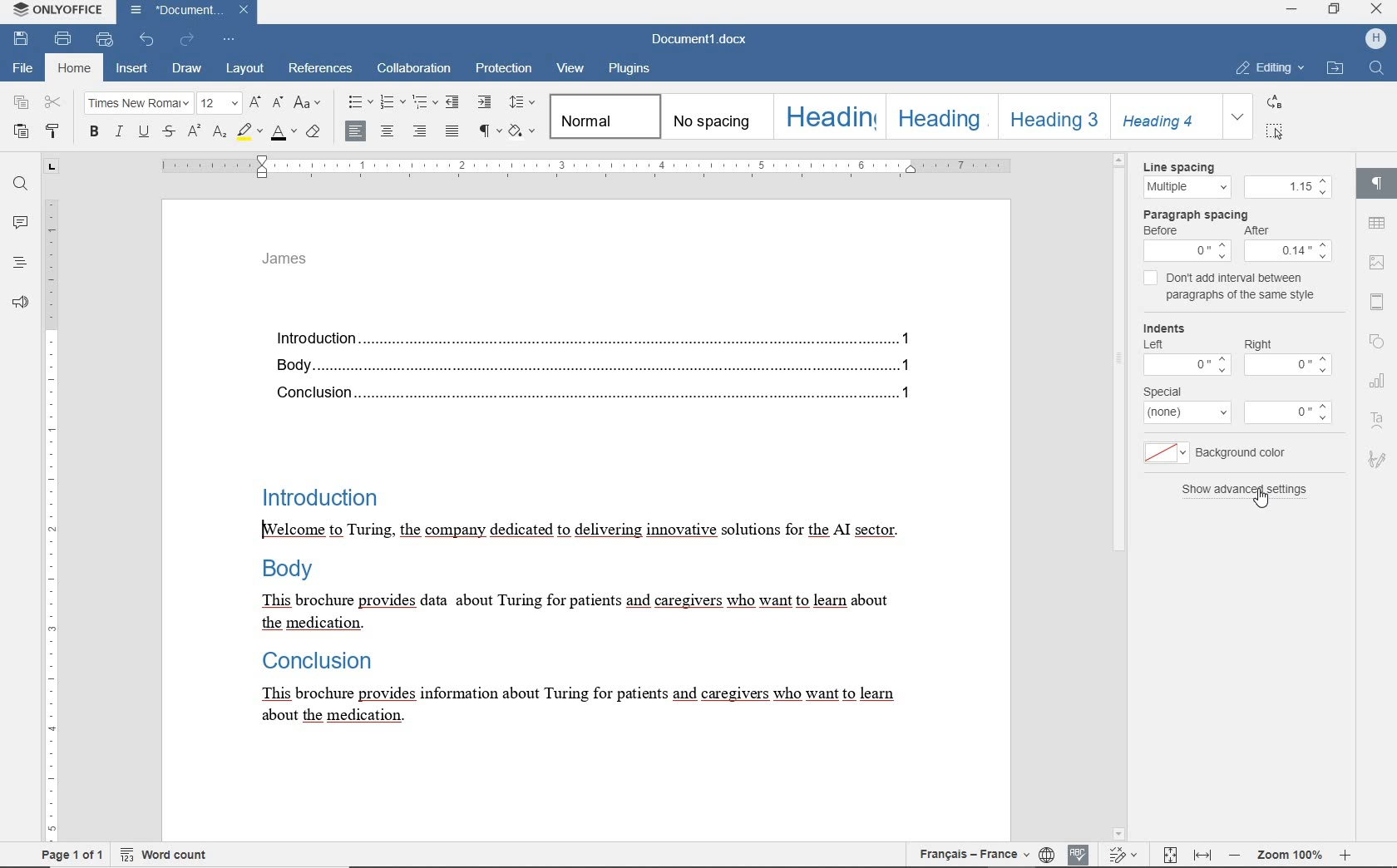 Image resolution: width=1397 pixels, height=868 pixels. What do you see at coordinates (1288, 187) in the screenshot?
I see `1.15` at bounding box center [1288, 187].